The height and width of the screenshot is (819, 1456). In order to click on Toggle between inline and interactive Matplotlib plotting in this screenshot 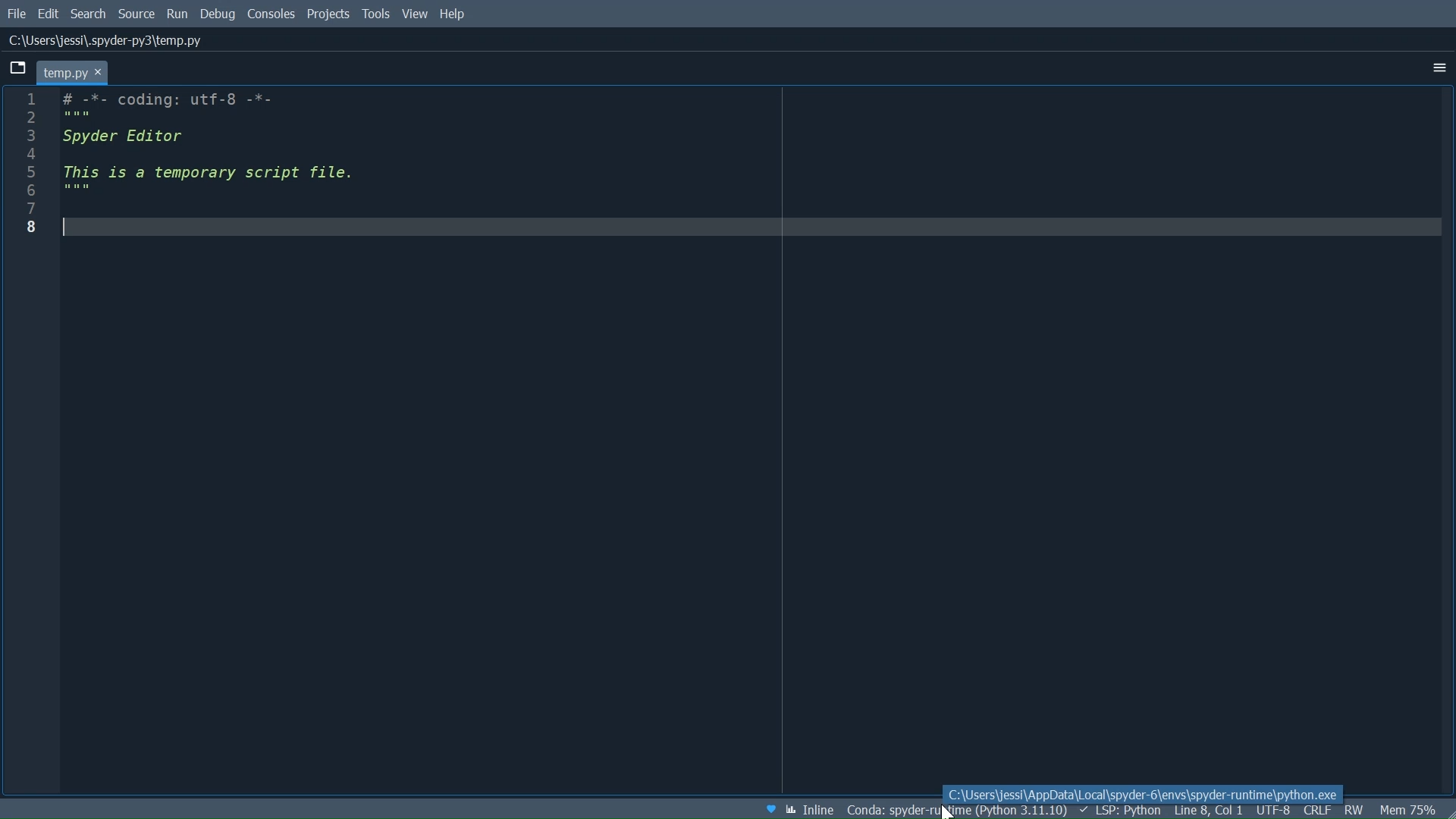, I will do `click(811, 810)`.